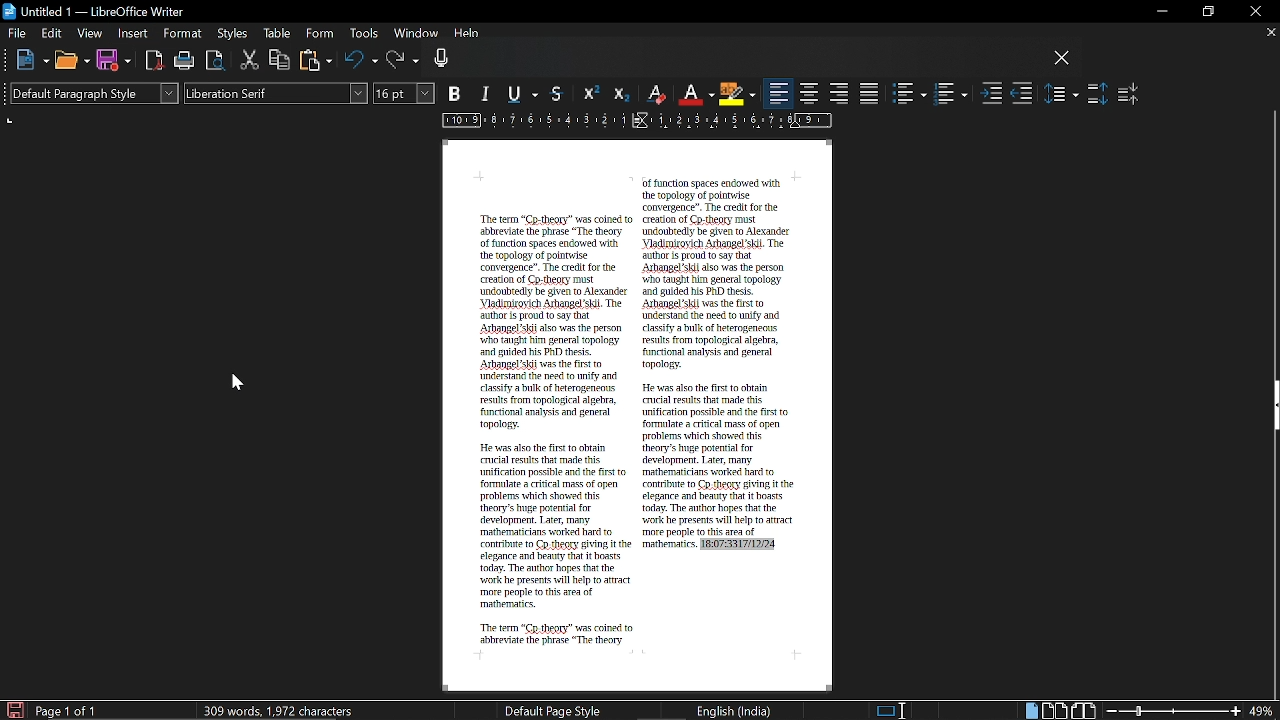 The height and width of the screenshot is (720, 1280). What do you see at coordinates (146, 46) in the screenshot?
I see `Cursor` at bounding box center [146, 46].